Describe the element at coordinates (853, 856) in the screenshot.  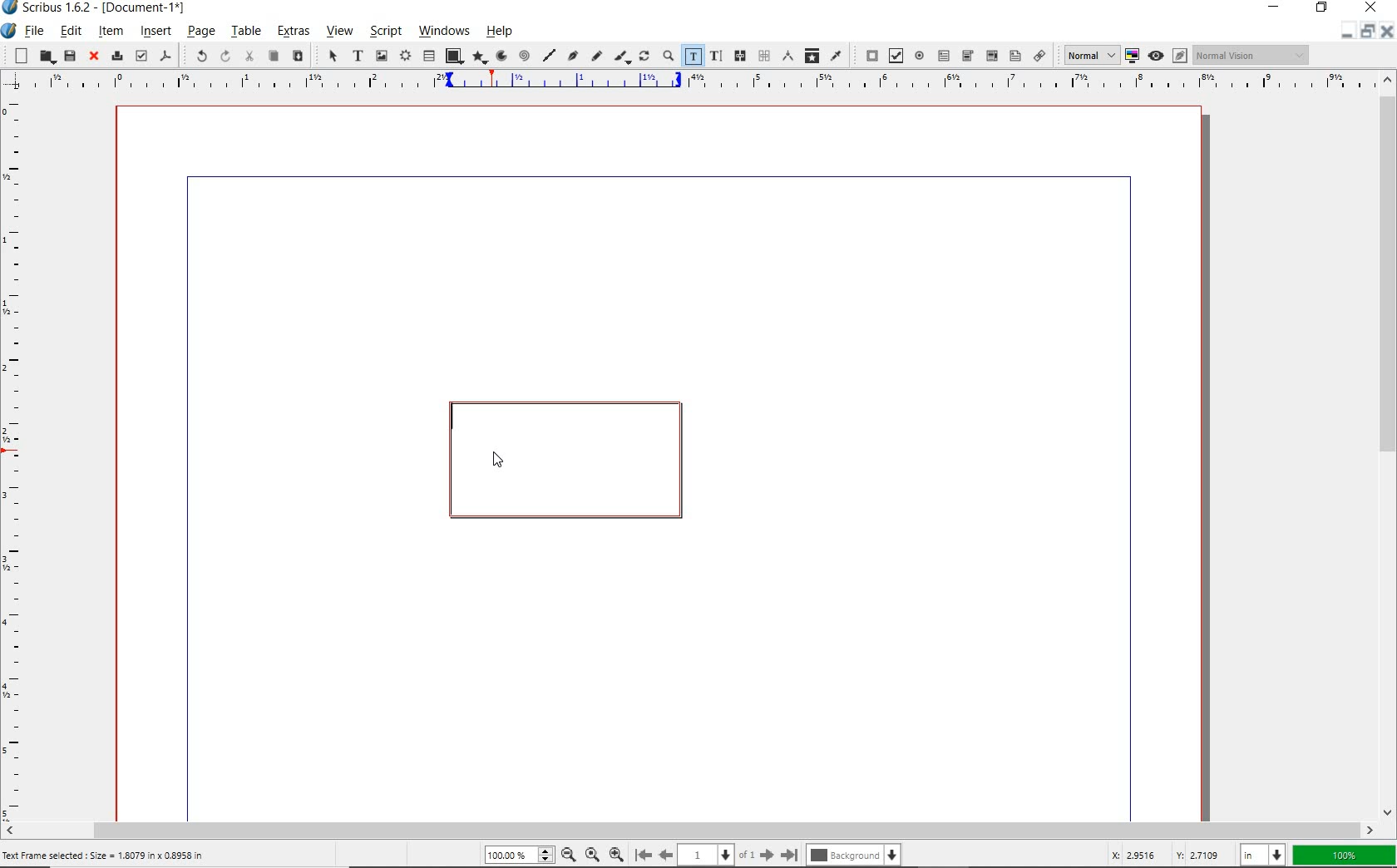
I see `Background` at that location.